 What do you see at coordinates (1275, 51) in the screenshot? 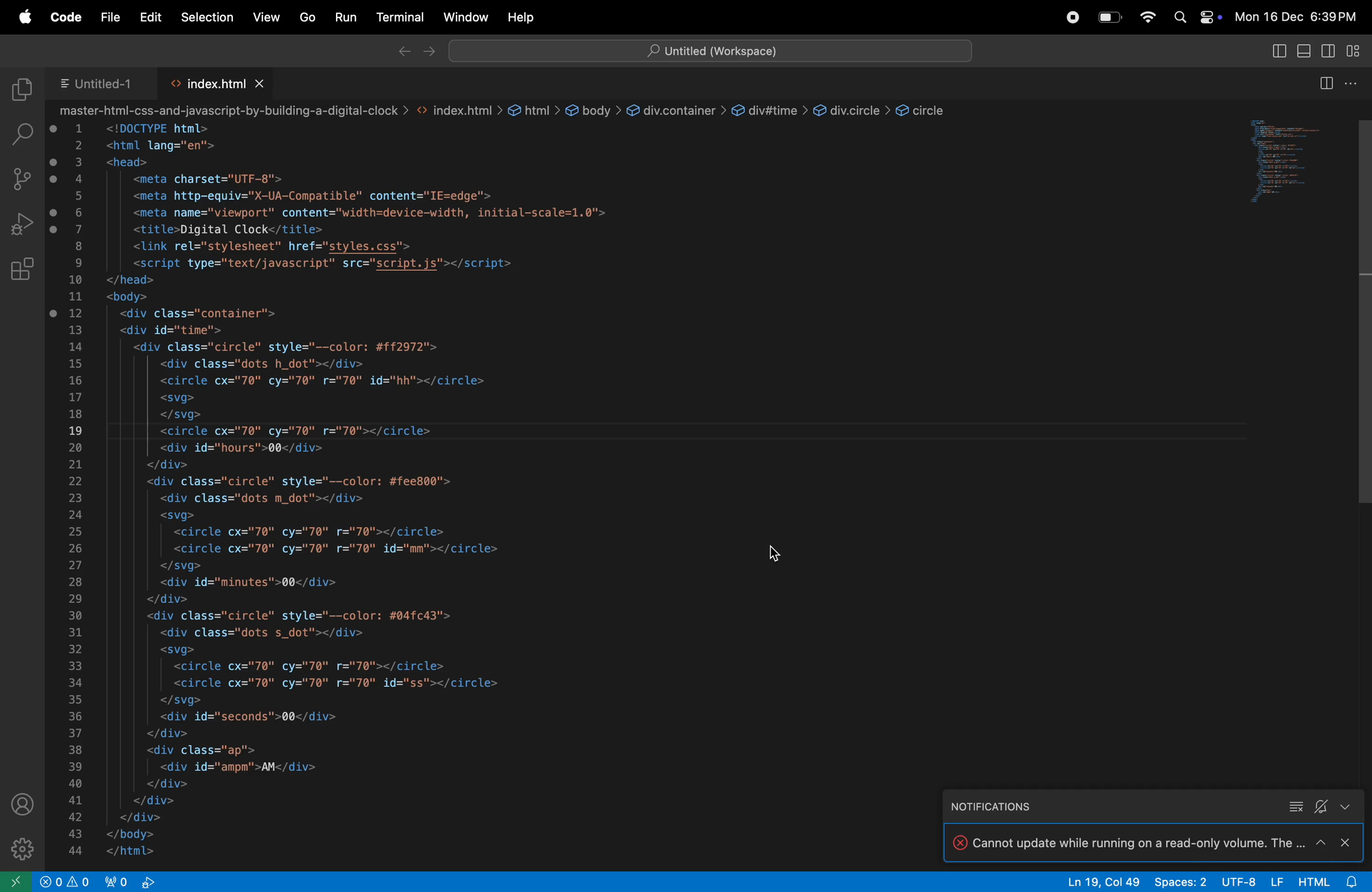
I see `toggle primary toggle bar` at bounding box center [1275, 51].